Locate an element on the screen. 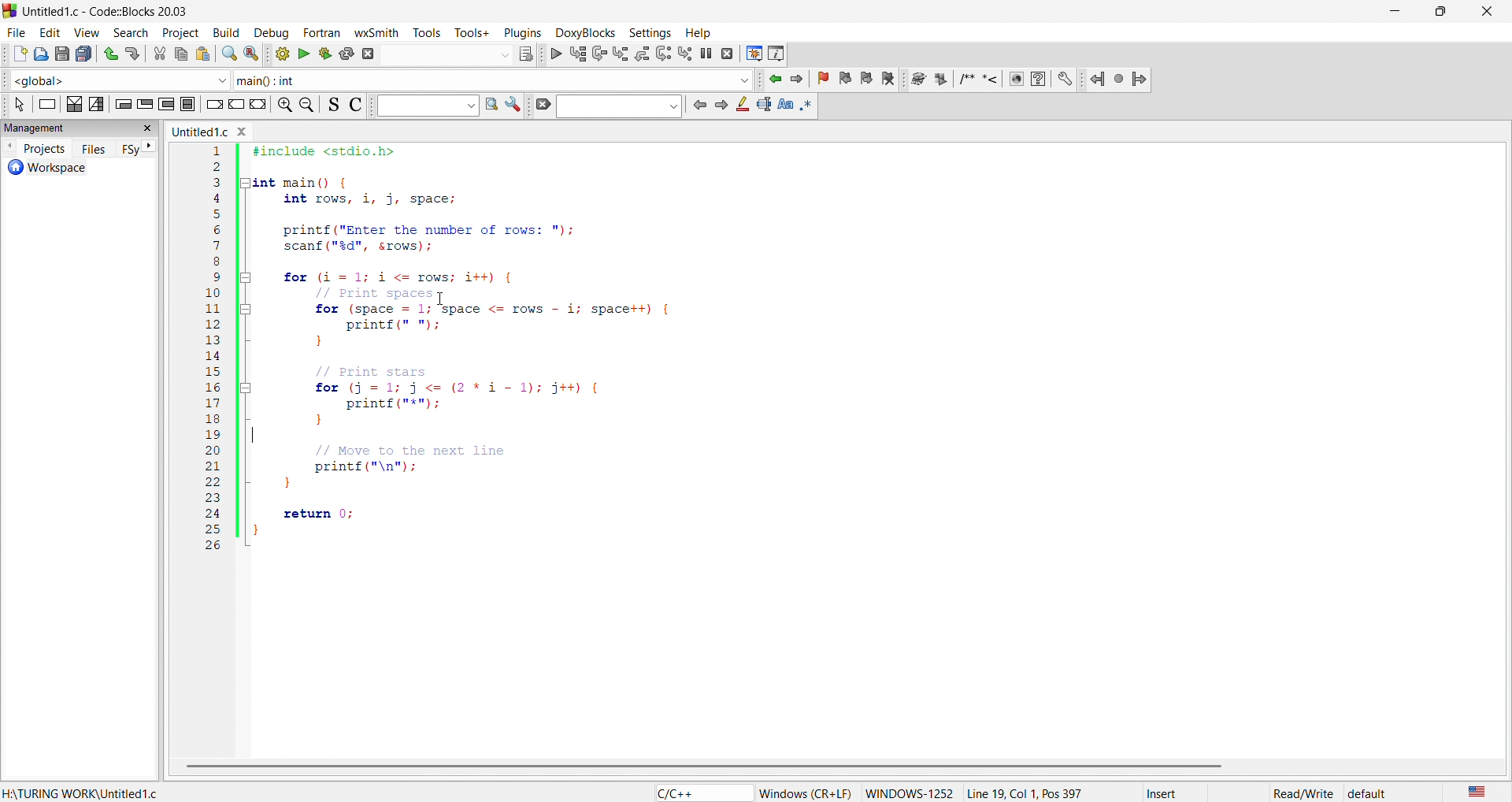 The height and width of the screenshot is (802, 1512). close window is located at coordinates (243, 130).